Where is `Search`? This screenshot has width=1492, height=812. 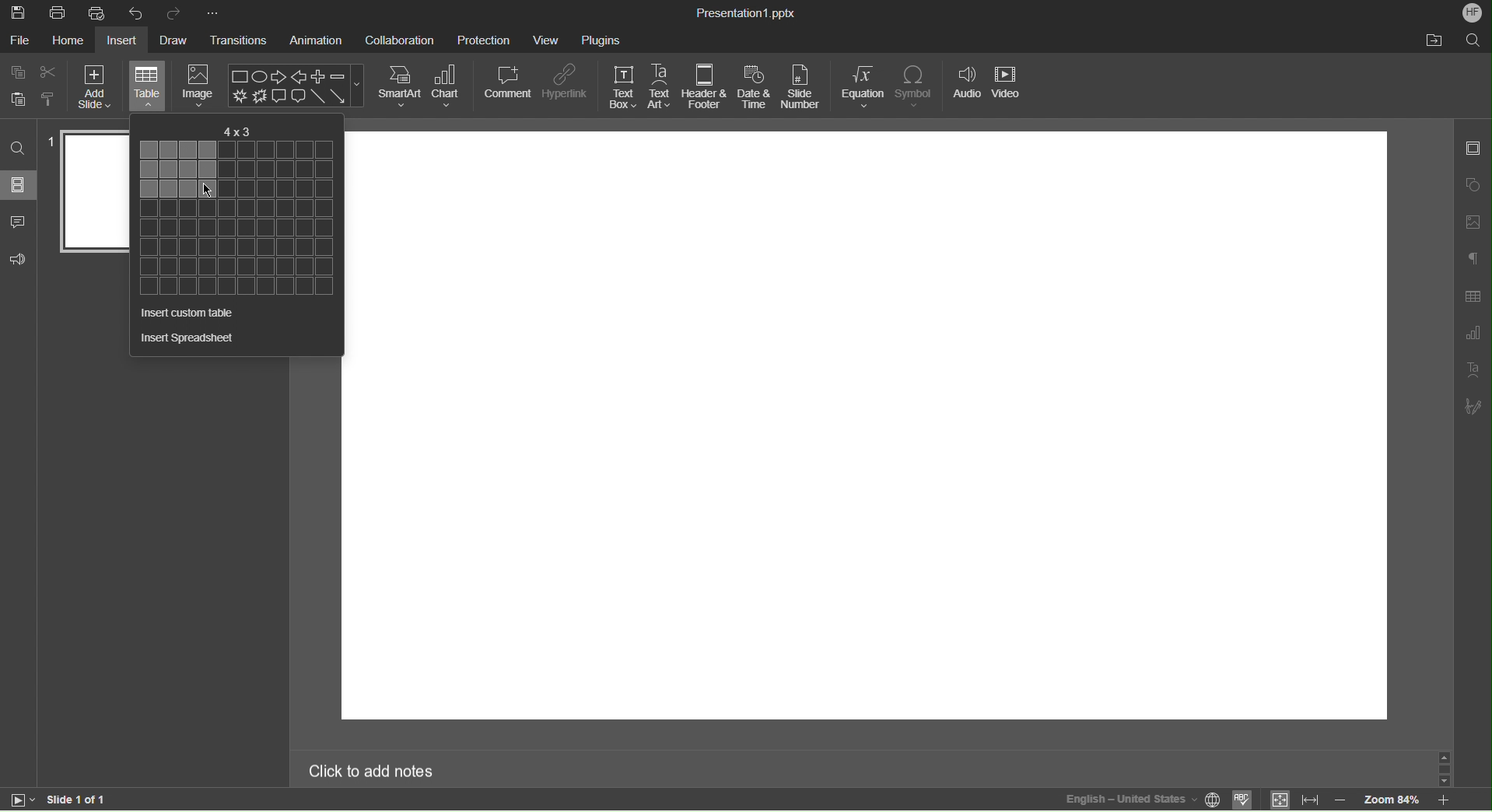 Search is located at coordinates (1475, 40).